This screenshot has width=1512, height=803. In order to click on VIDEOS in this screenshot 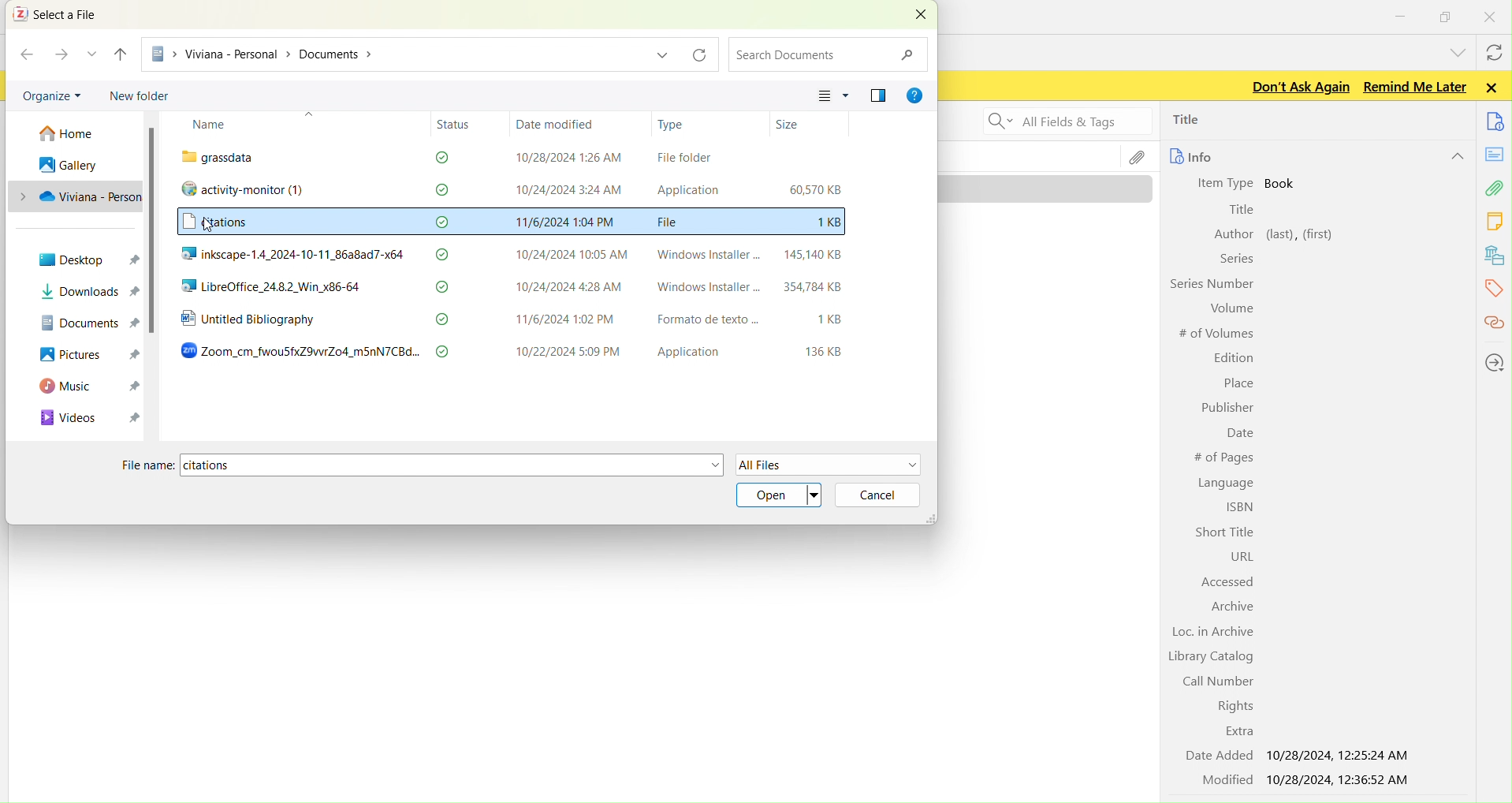, I will do `click(77, 420)`.